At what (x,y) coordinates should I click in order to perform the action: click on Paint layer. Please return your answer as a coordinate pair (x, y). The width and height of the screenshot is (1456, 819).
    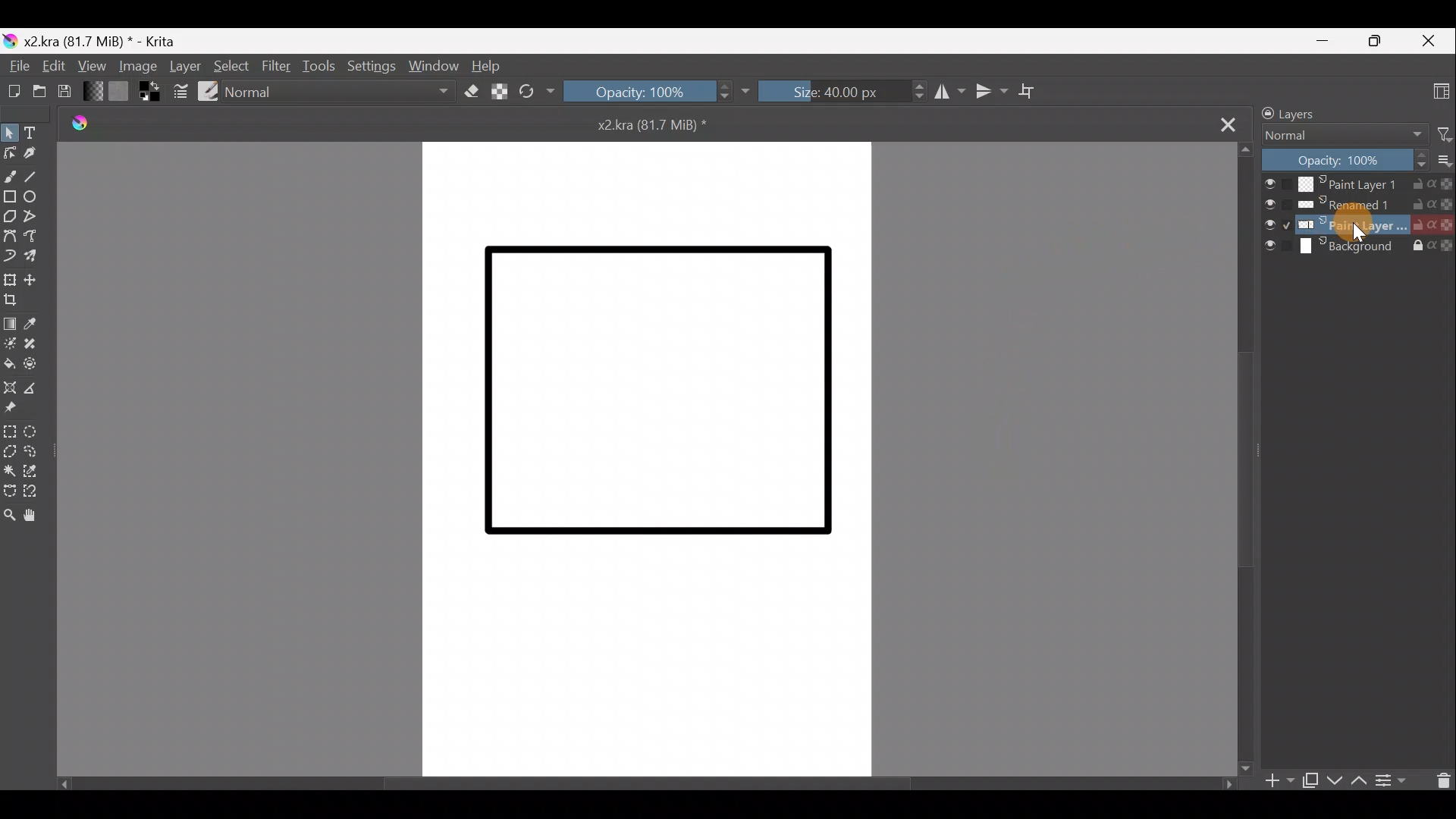
    Looking at the image, I should click on (1359, 224).